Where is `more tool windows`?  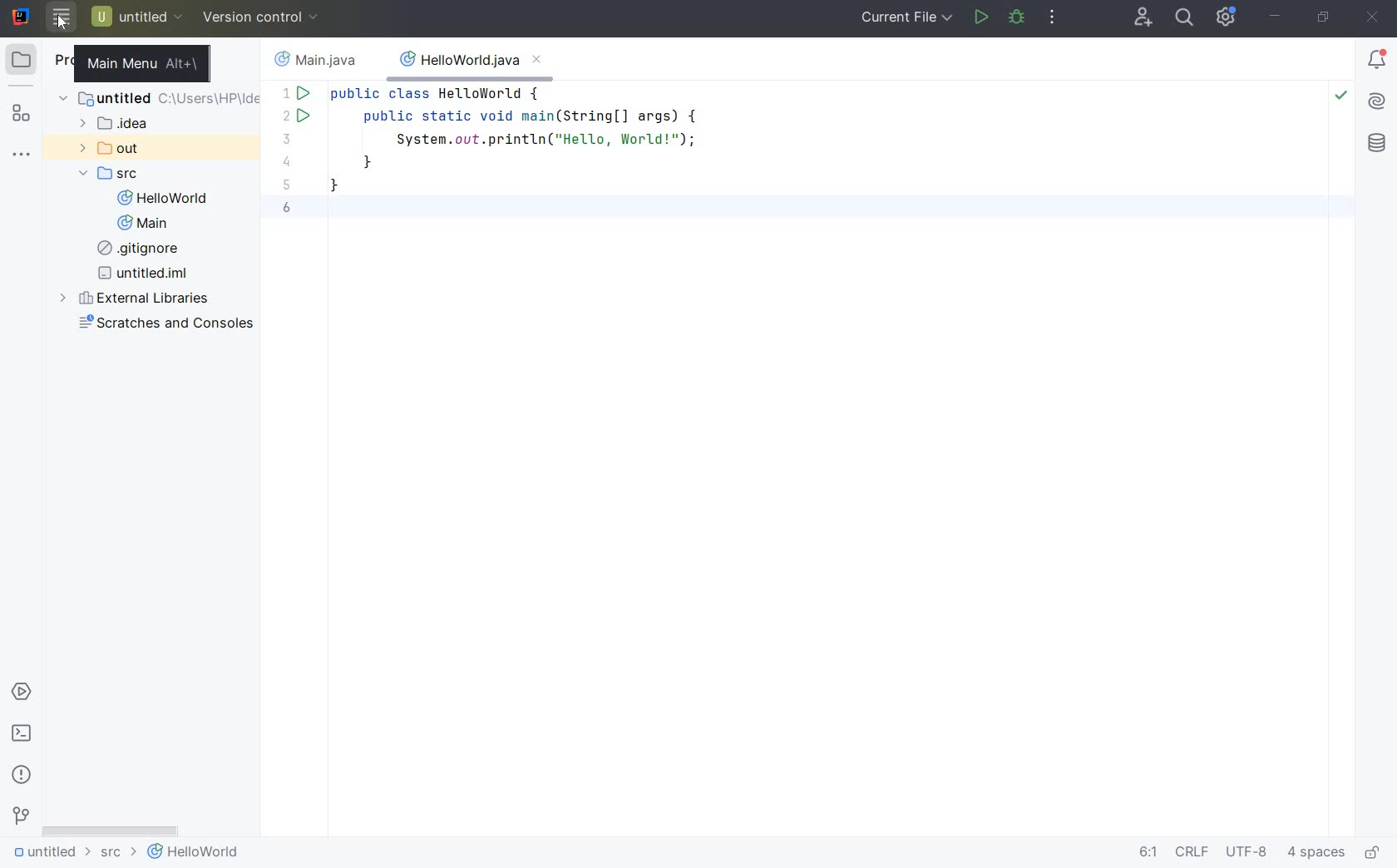 more tool windows is located at coordinates (24, 155).